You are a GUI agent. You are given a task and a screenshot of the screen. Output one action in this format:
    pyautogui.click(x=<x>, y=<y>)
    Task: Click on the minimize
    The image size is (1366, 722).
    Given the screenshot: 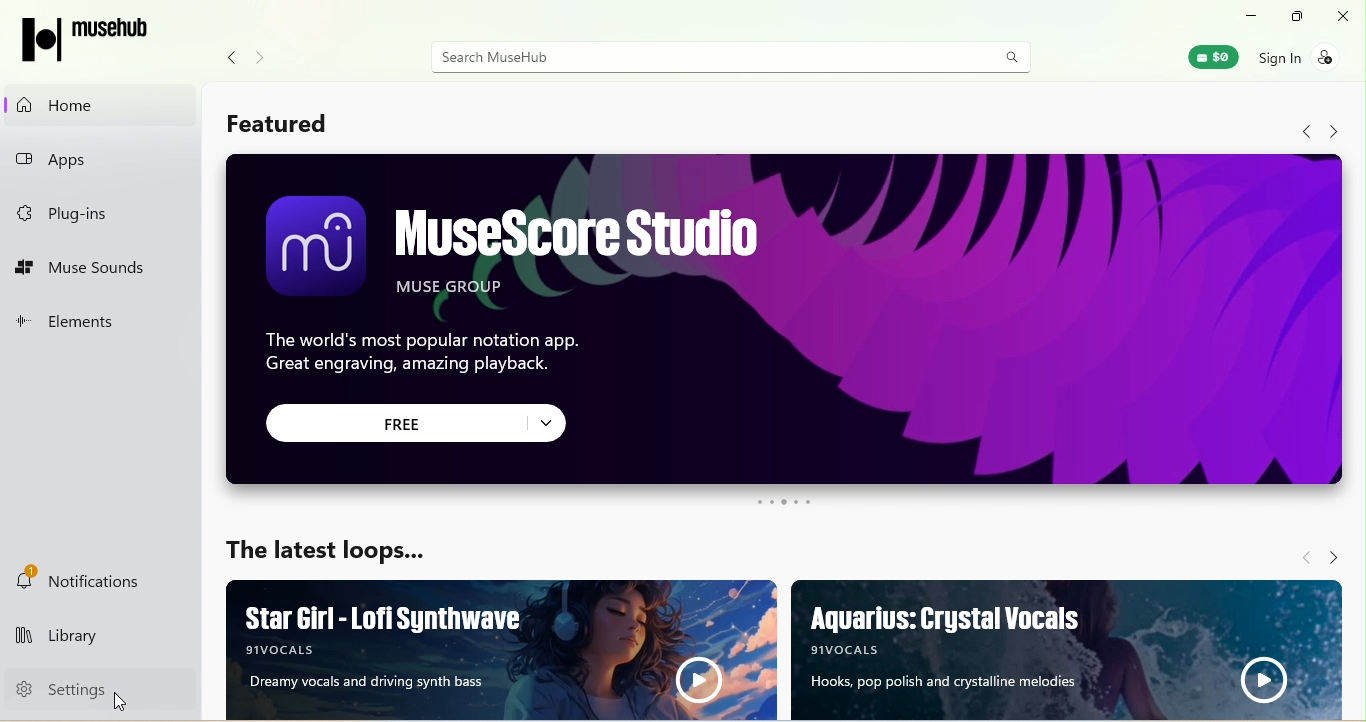 What is the action you would take?
    pyautogui.click(x=1244, y=14)
    